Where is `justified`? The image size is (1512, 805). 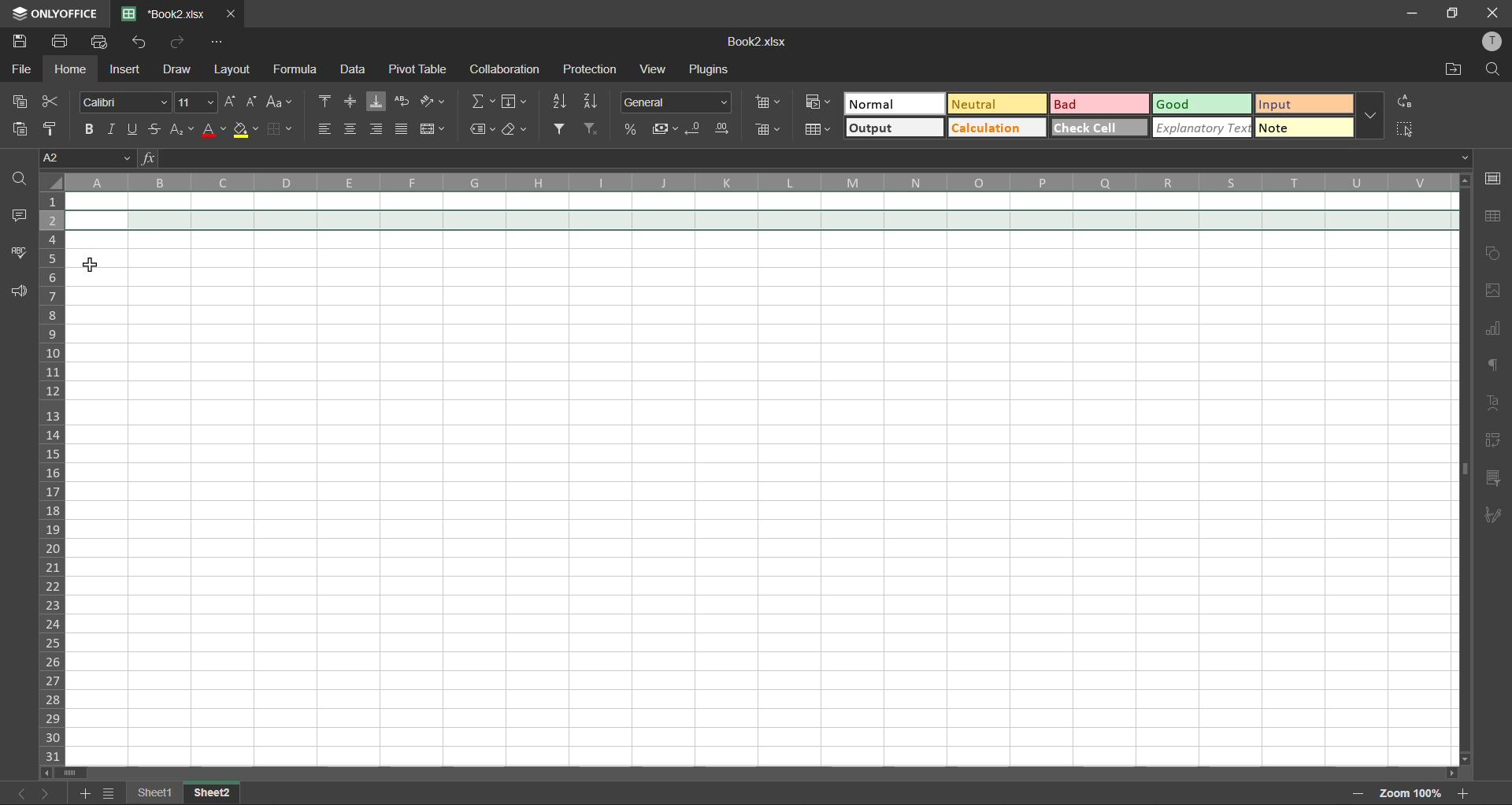 justified is located at coordinates (402, 128).